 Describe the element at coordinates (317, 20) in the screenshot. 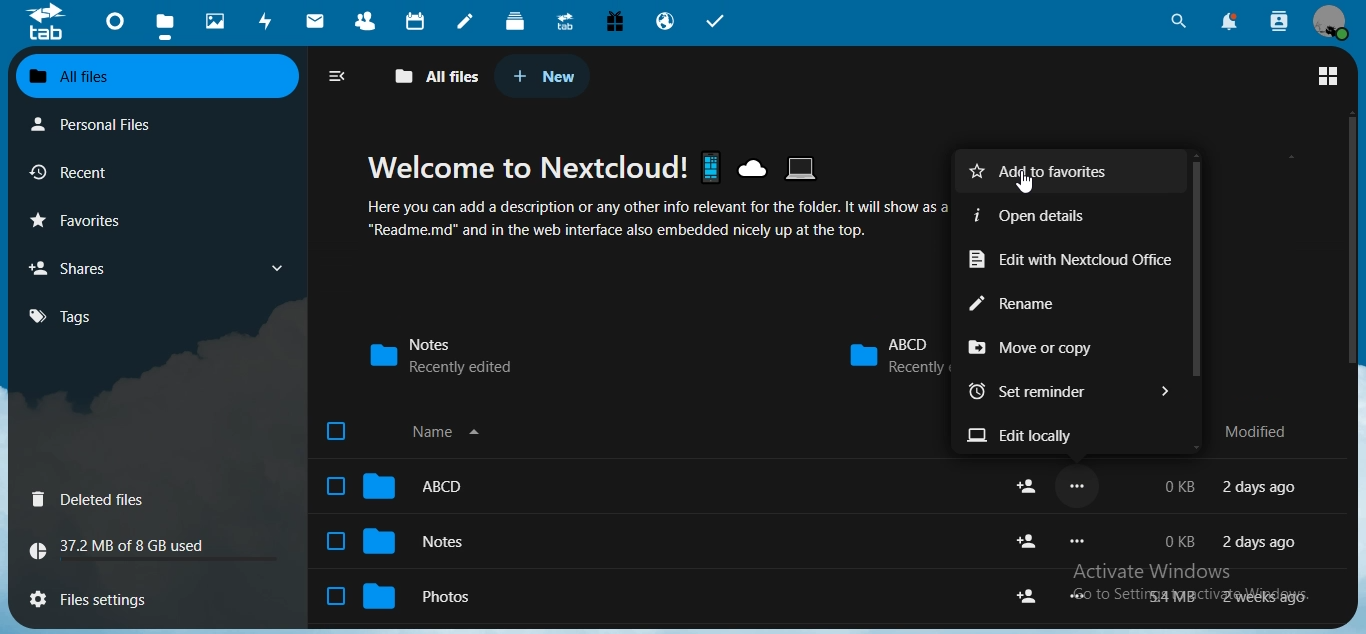

I see `mail` at that location.